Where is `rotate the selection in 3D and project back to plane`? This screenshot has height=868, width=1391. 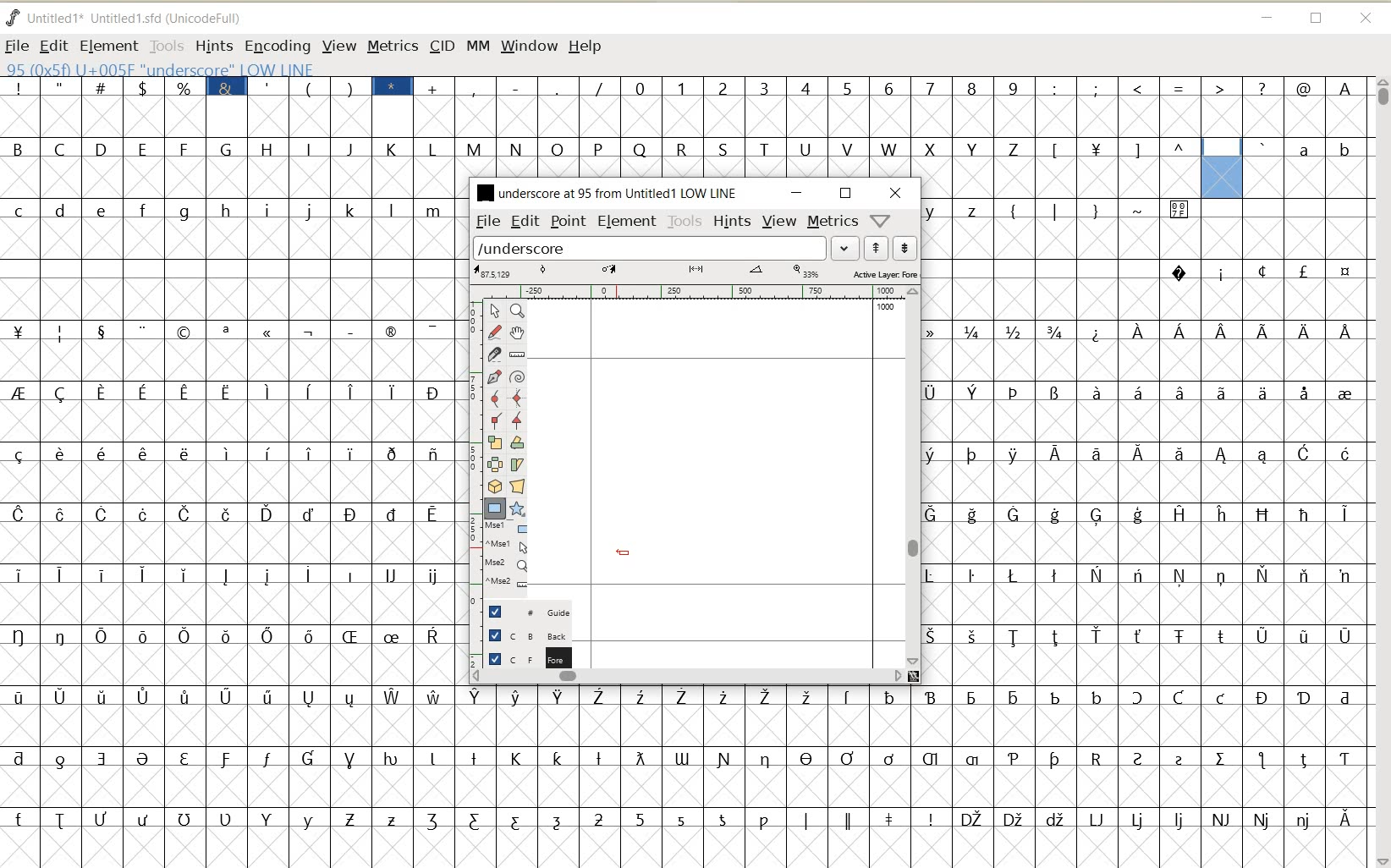
rotate the selection in 3D and project back to plane is located at coordinates (494, 486).